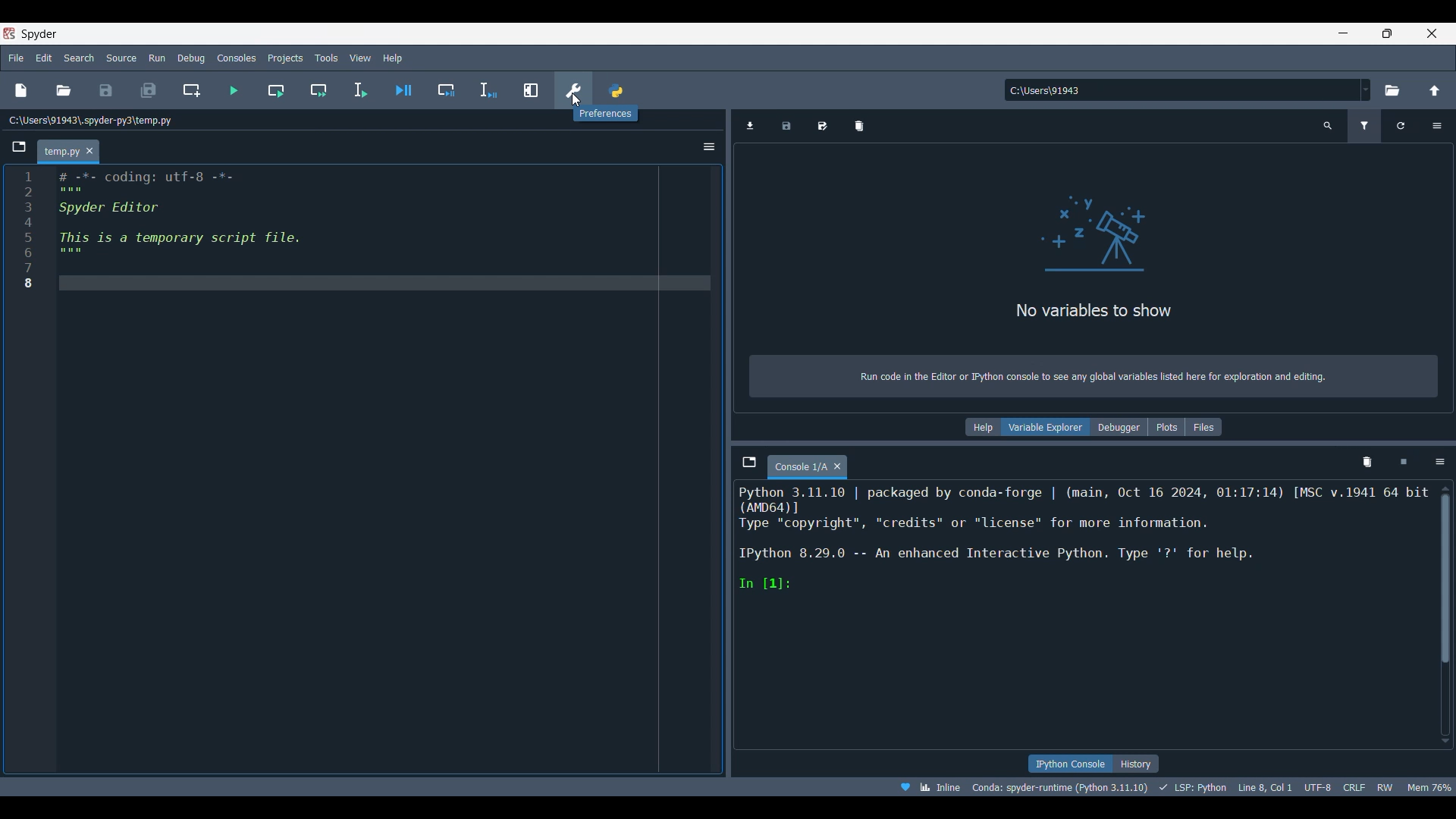 This screenshot has height=819, width=1456. I want to click on Variable explorer, so click(1046, 427).